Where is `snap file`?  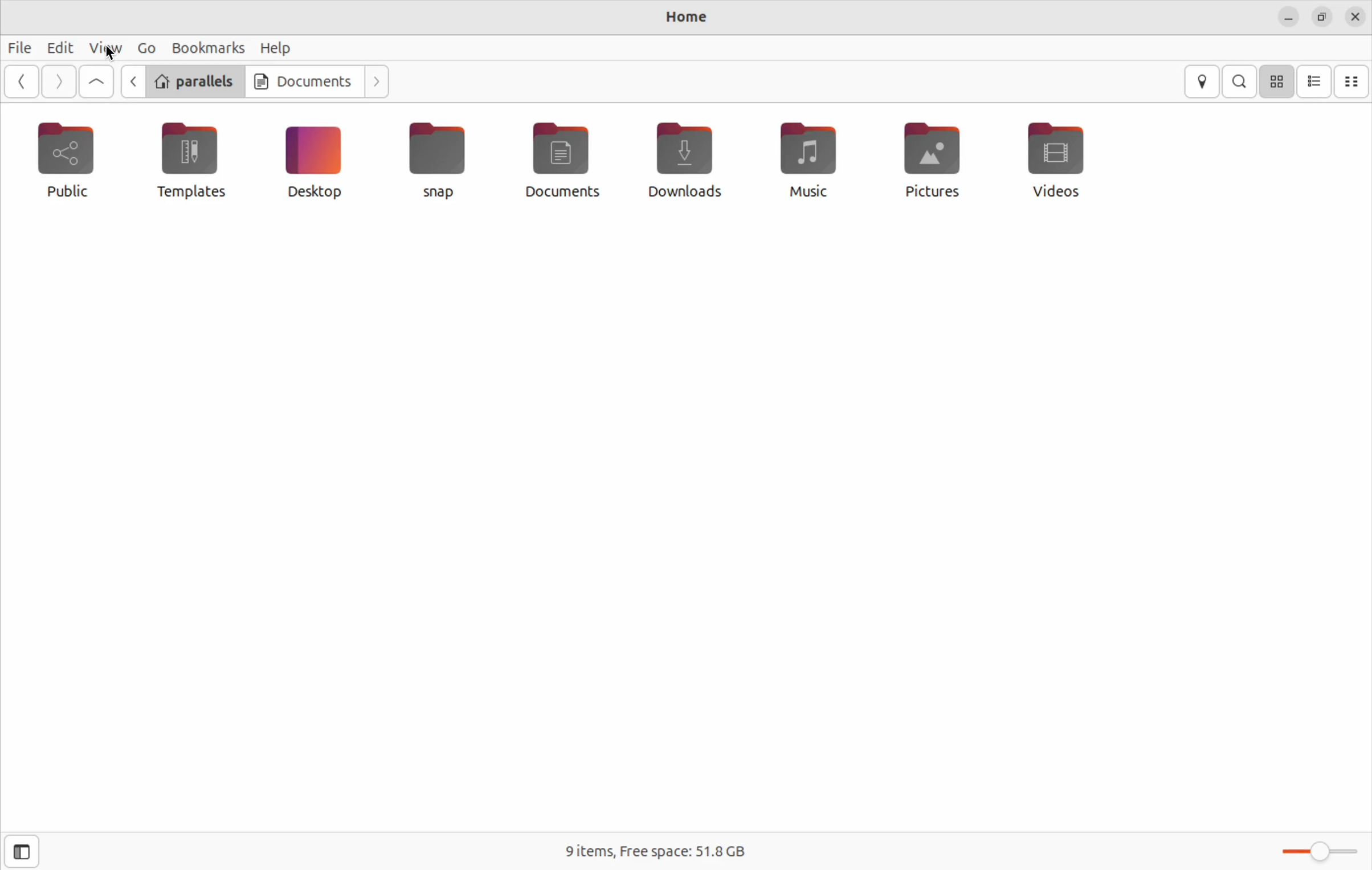
snap file is located at coordinates (438, 161).